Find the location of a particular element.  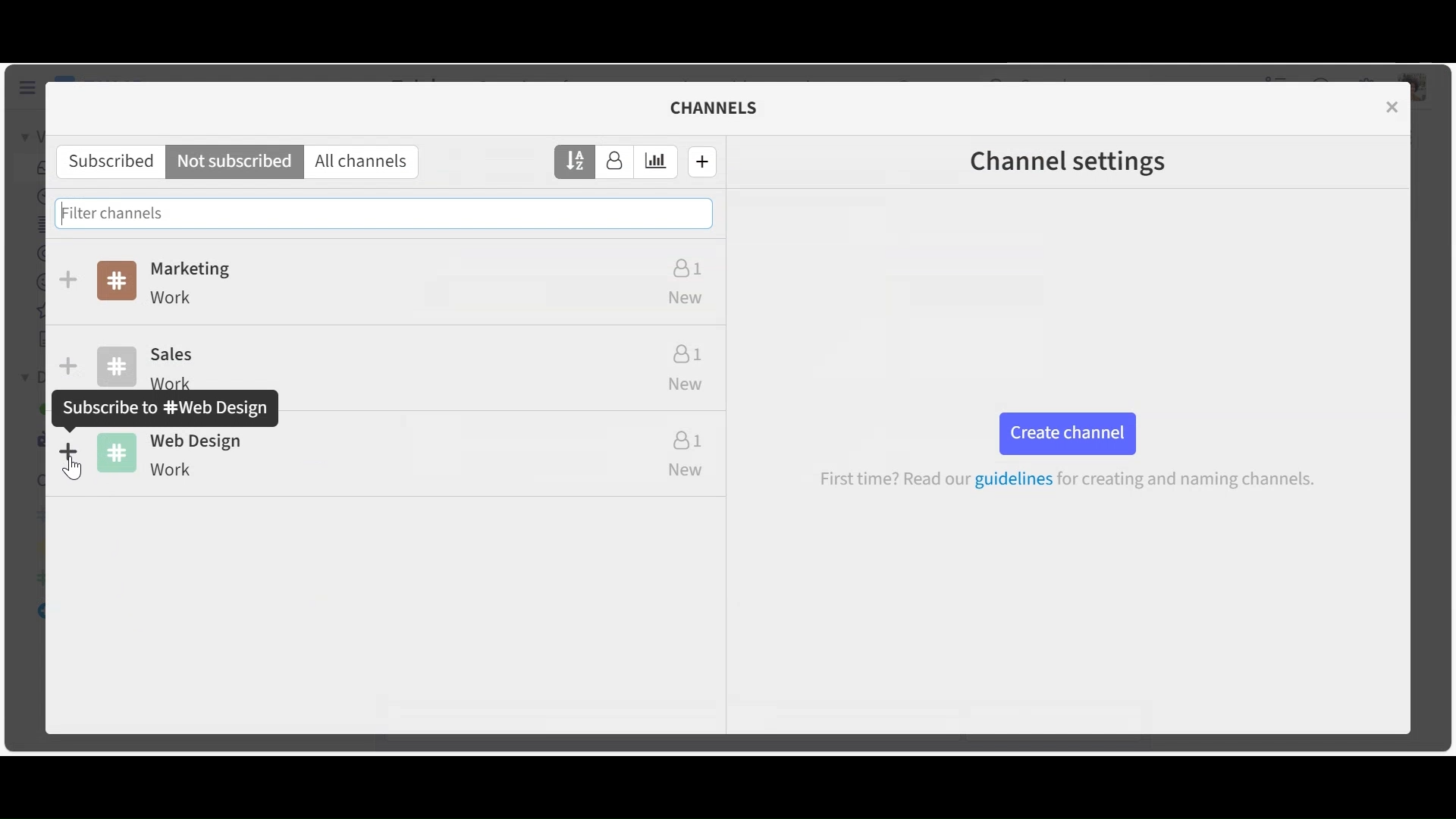

Channe name and description is located at coordinates (403, 357).